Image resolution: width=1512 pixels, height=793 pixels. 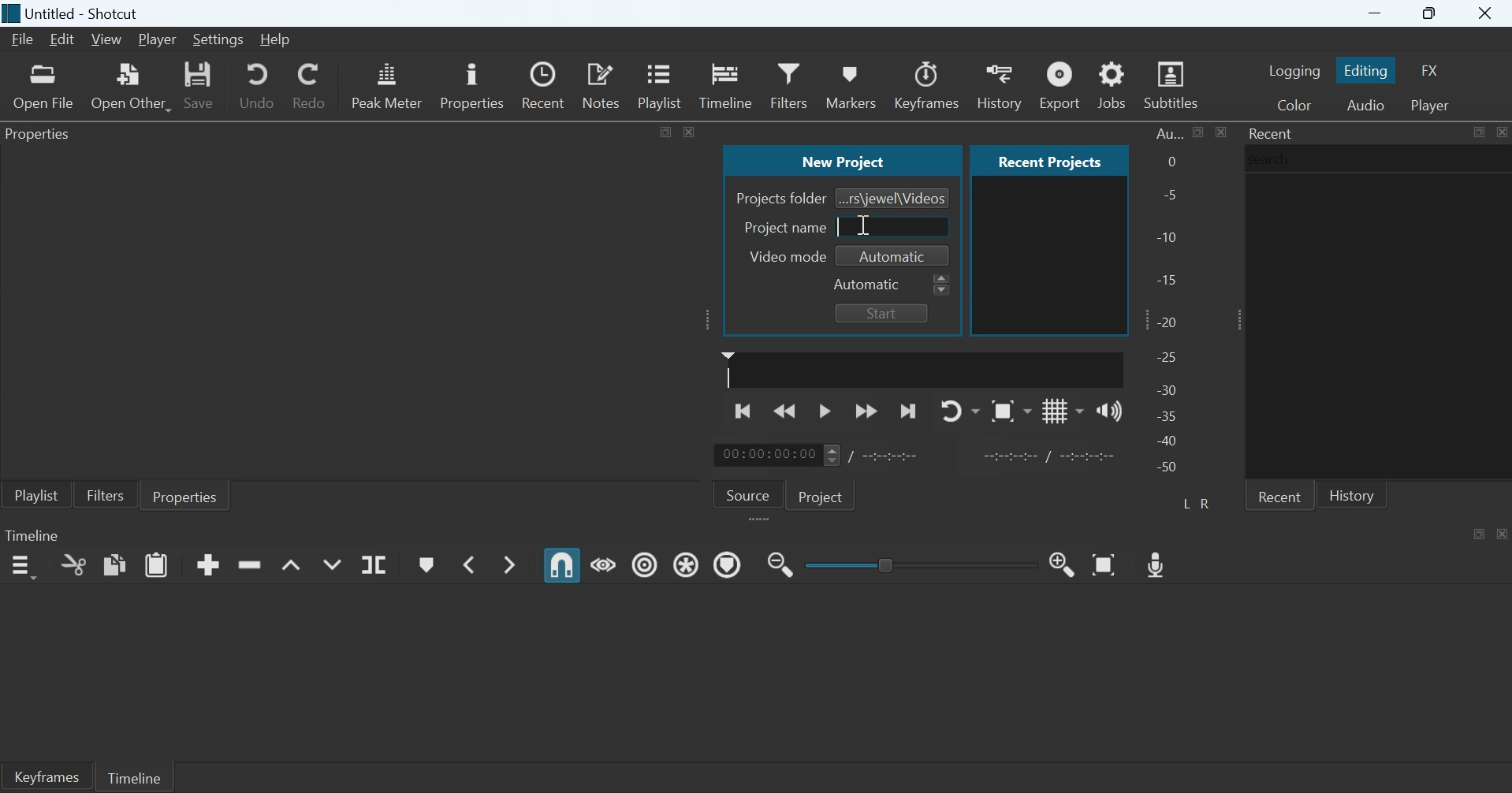 What do you see at coordinates (471, 84) in the screenshot?
I see `Properties` at bounding box center [471, 84].